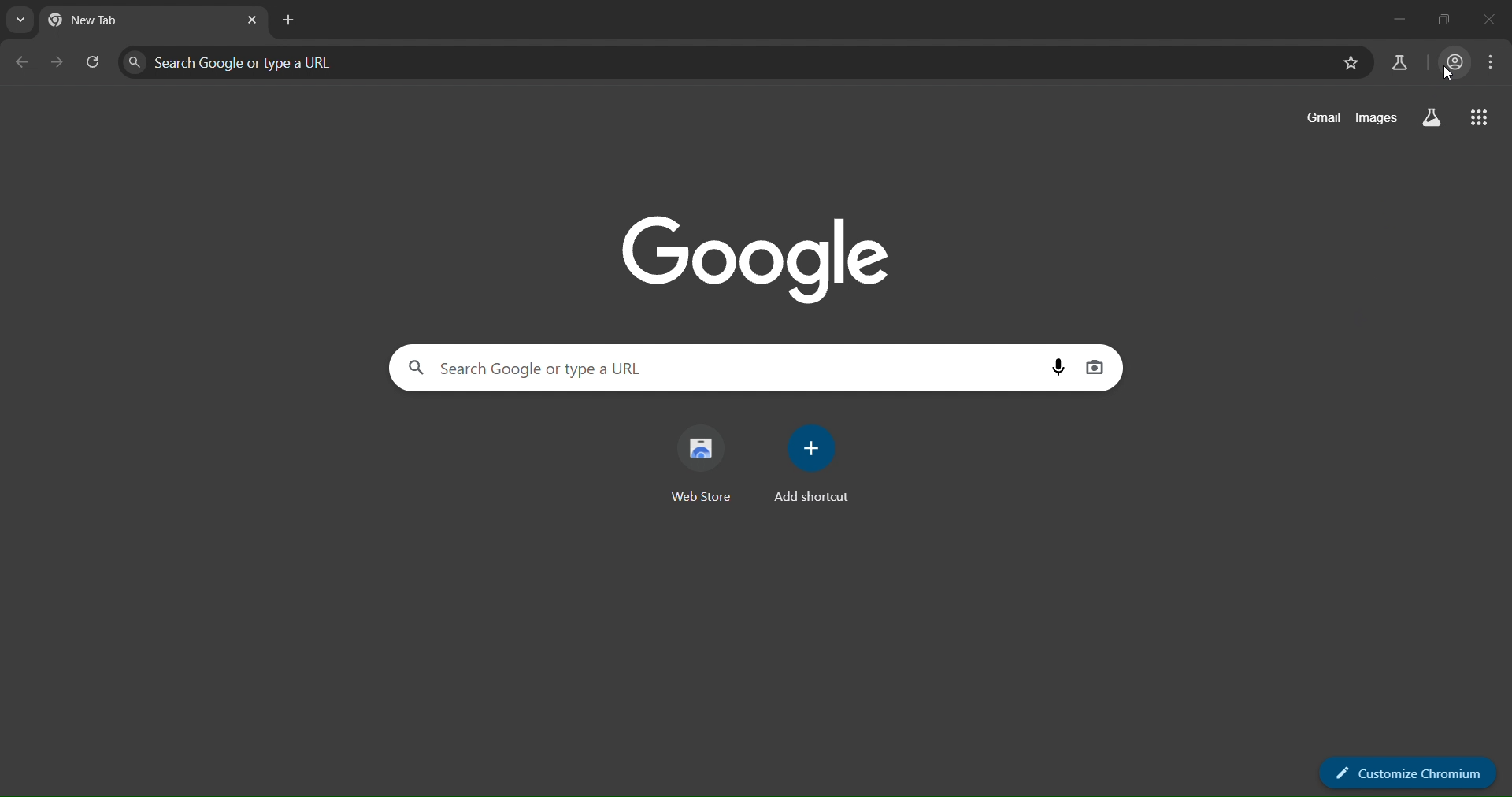  What do you see at coordinates (1376, 118) in the screenshot?
I see `images` at bounding box center [1376, 118].